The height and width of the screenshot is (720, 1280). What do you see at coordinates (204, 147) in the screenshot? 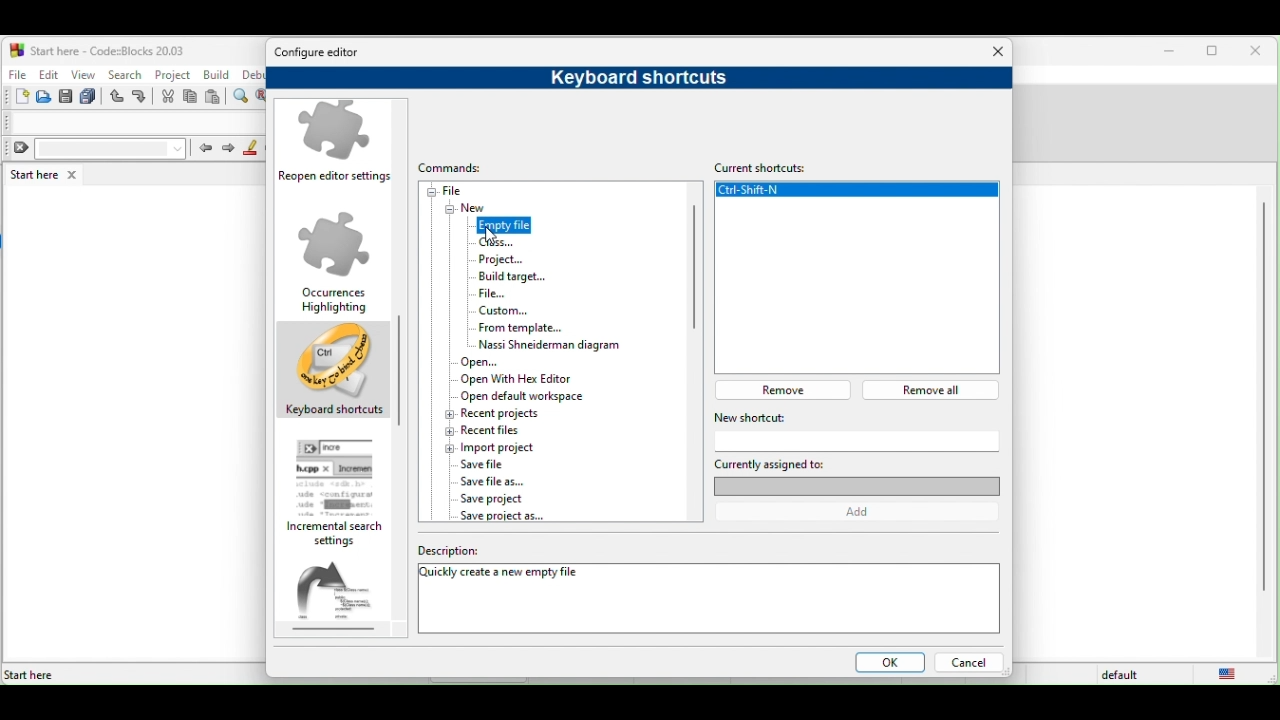
I see `prev` at bounding box center [204, 147].